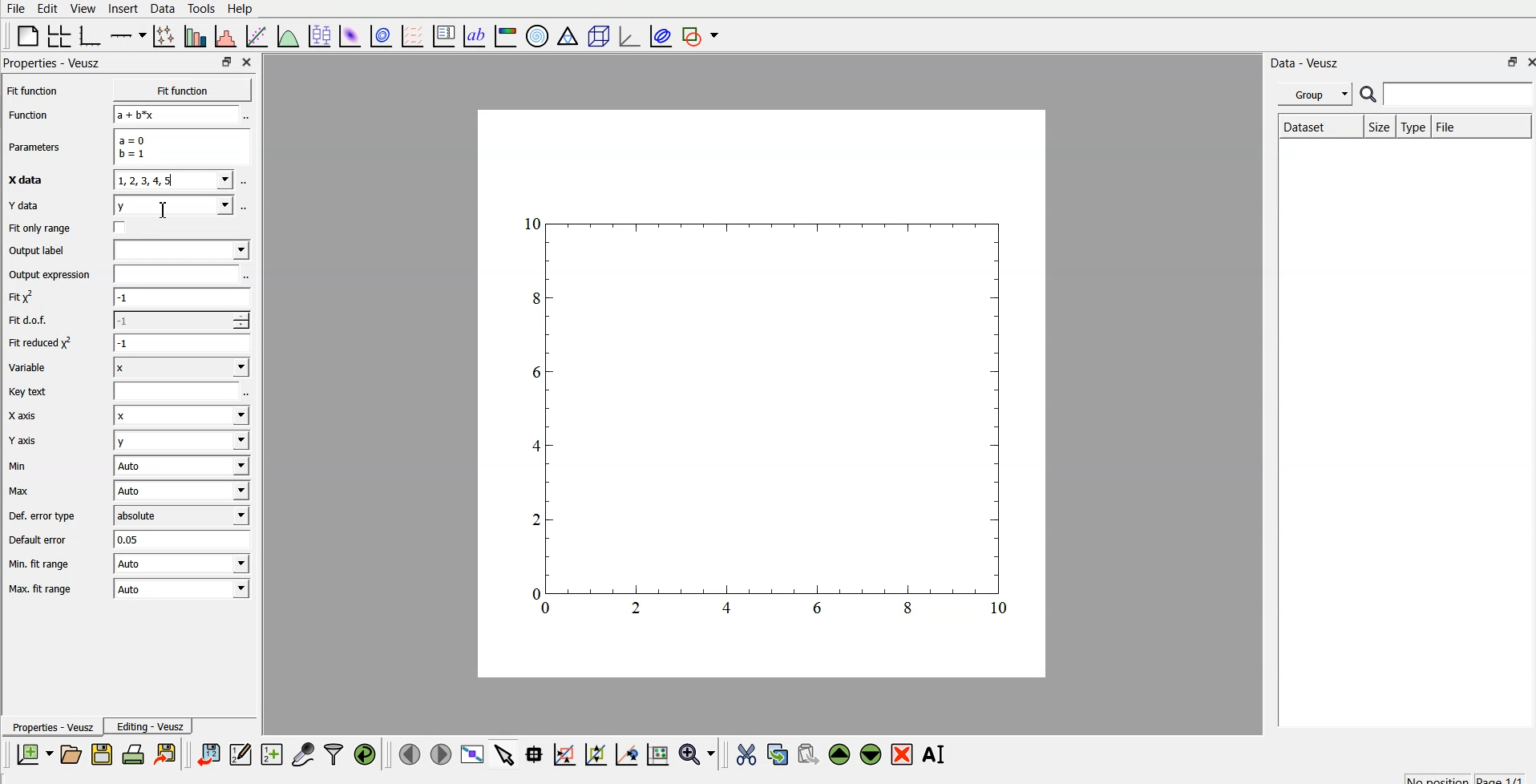 The width and height of the screenshot is (1536, 784). What do you see at coordinates (351, 36) in the screenshot?
I see `plot 2d data set as an image` at bounding box center [351, 36].